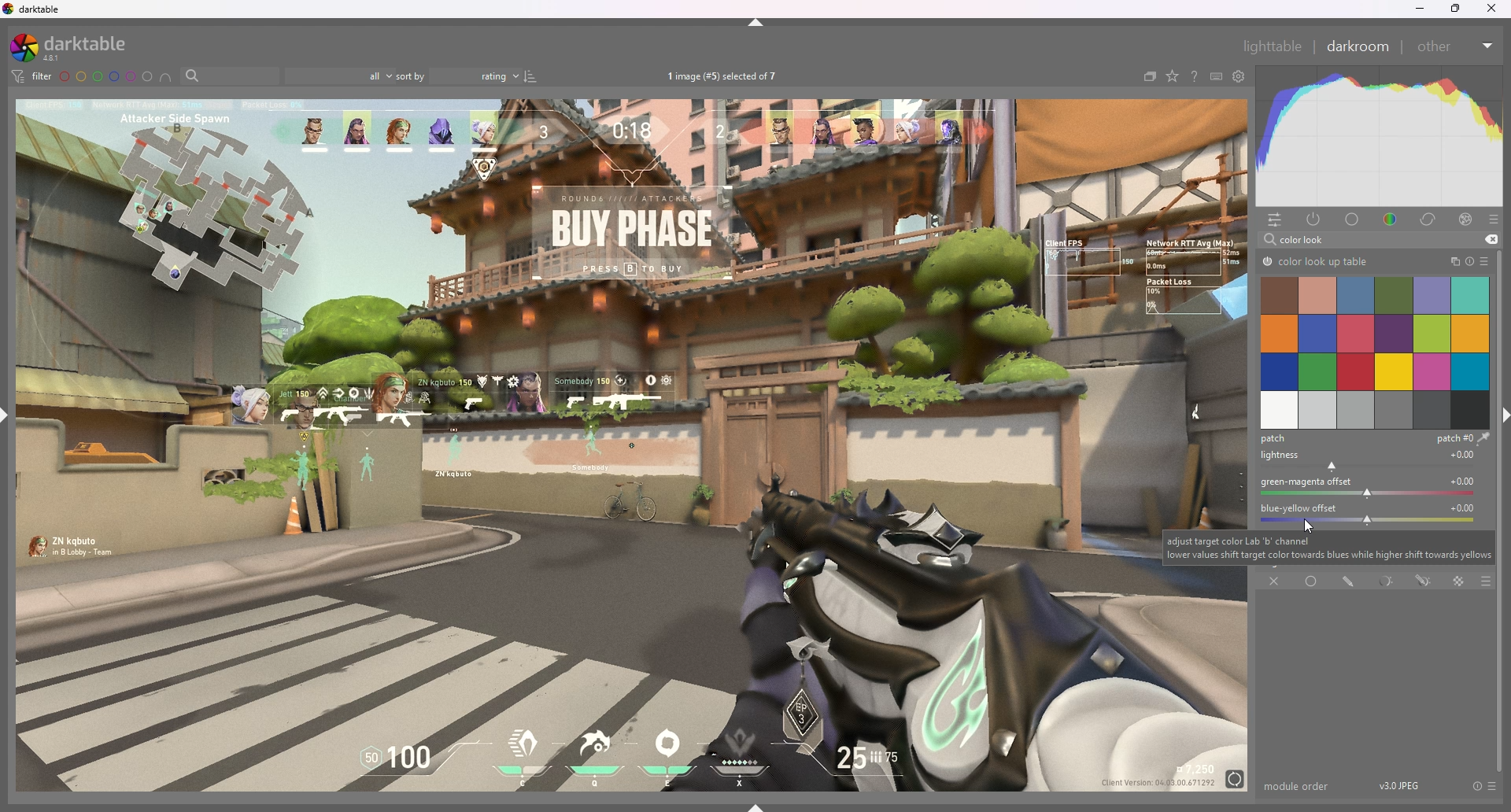 Image resolution: width=1511 pixels, height=812 pixels. Describe the element at coordinates (1470, 261) in the screenshot. I see `reset` at that location.